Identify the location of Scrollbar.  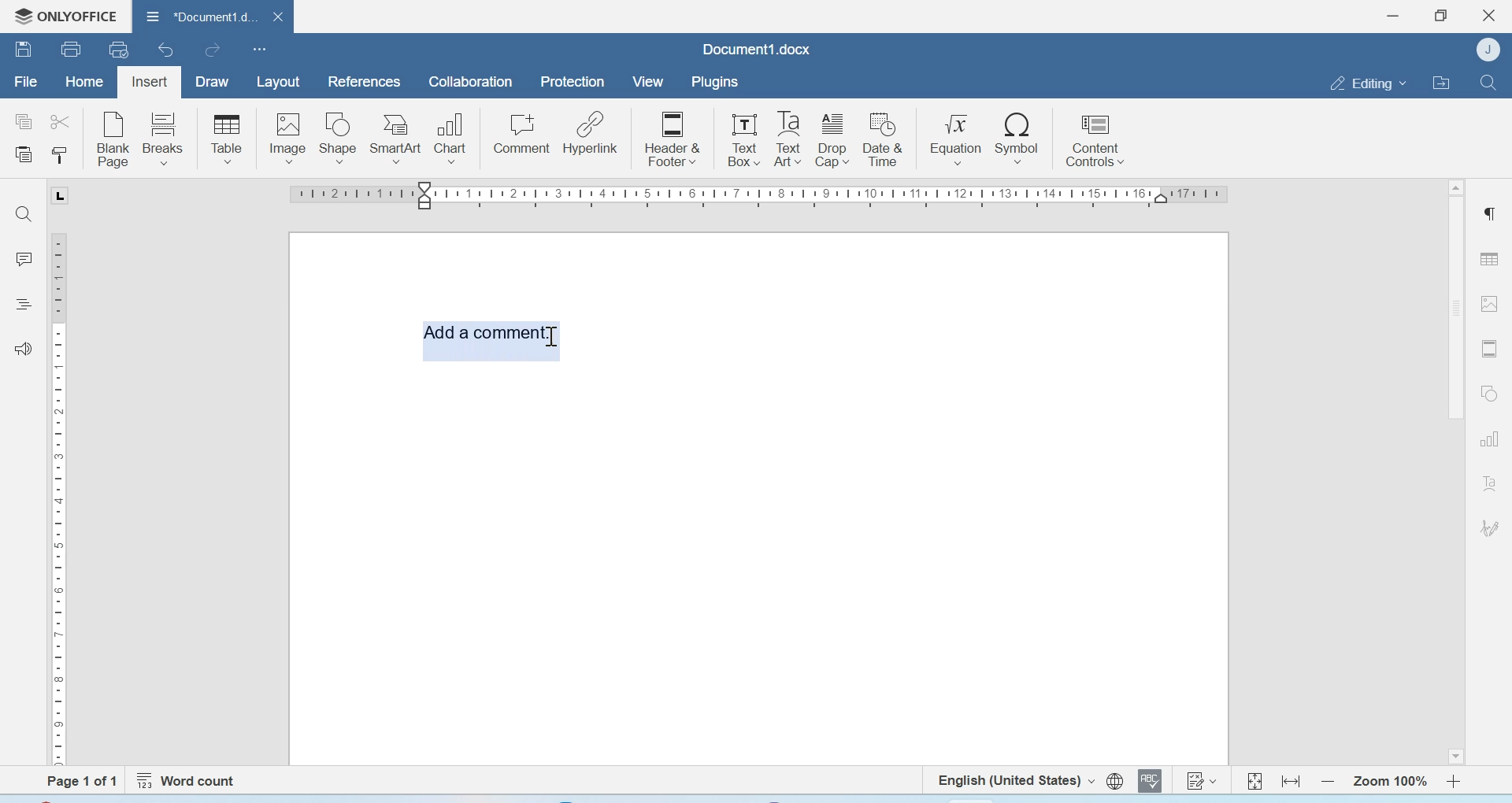
(1455, 470).